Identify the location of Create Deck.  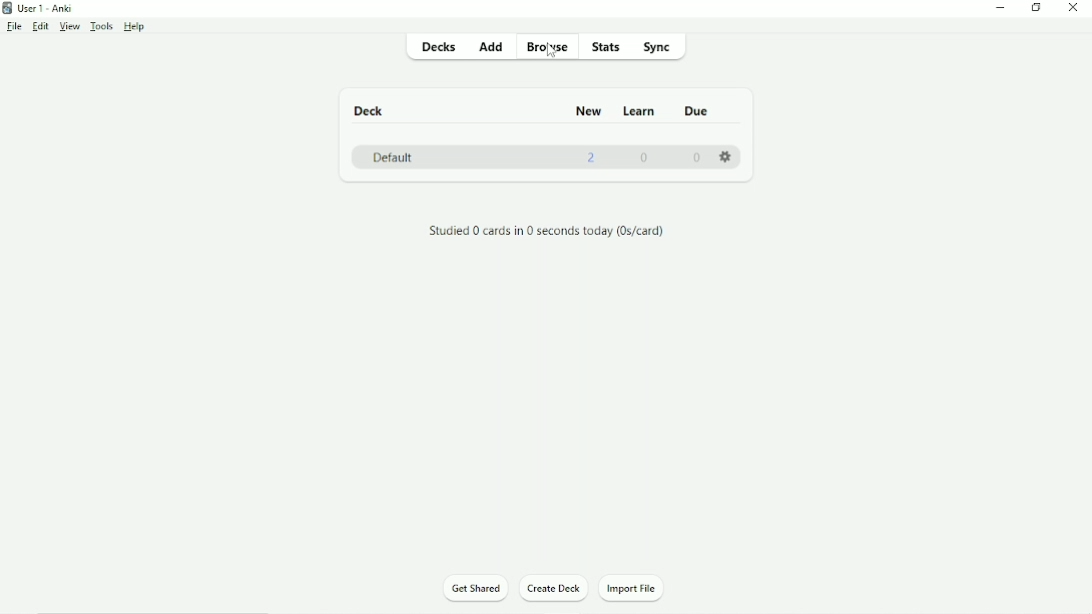
(552, 591).